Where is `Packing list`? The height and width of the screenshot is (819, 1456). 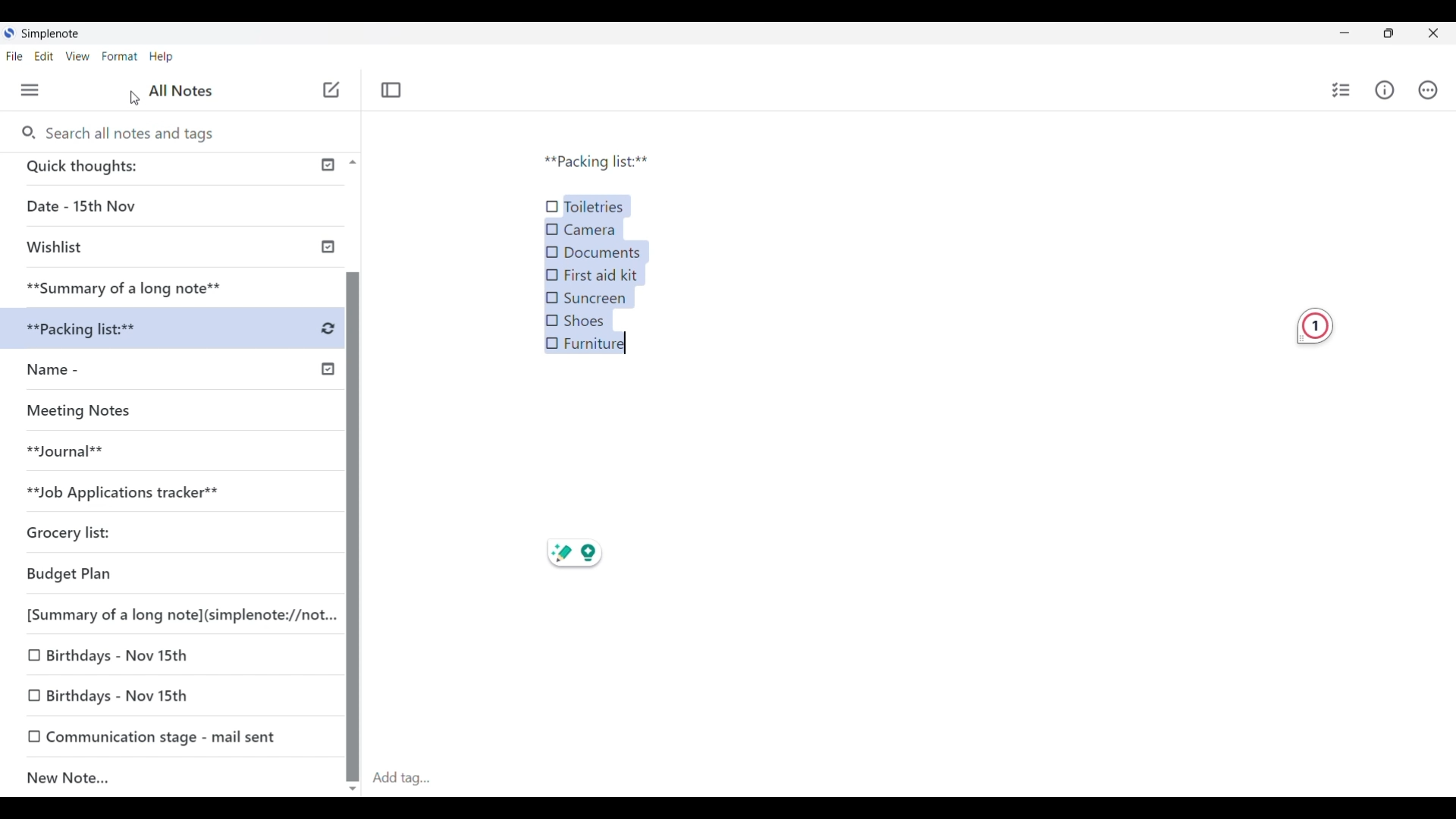
Packing list is located at coordinates (600, 161).